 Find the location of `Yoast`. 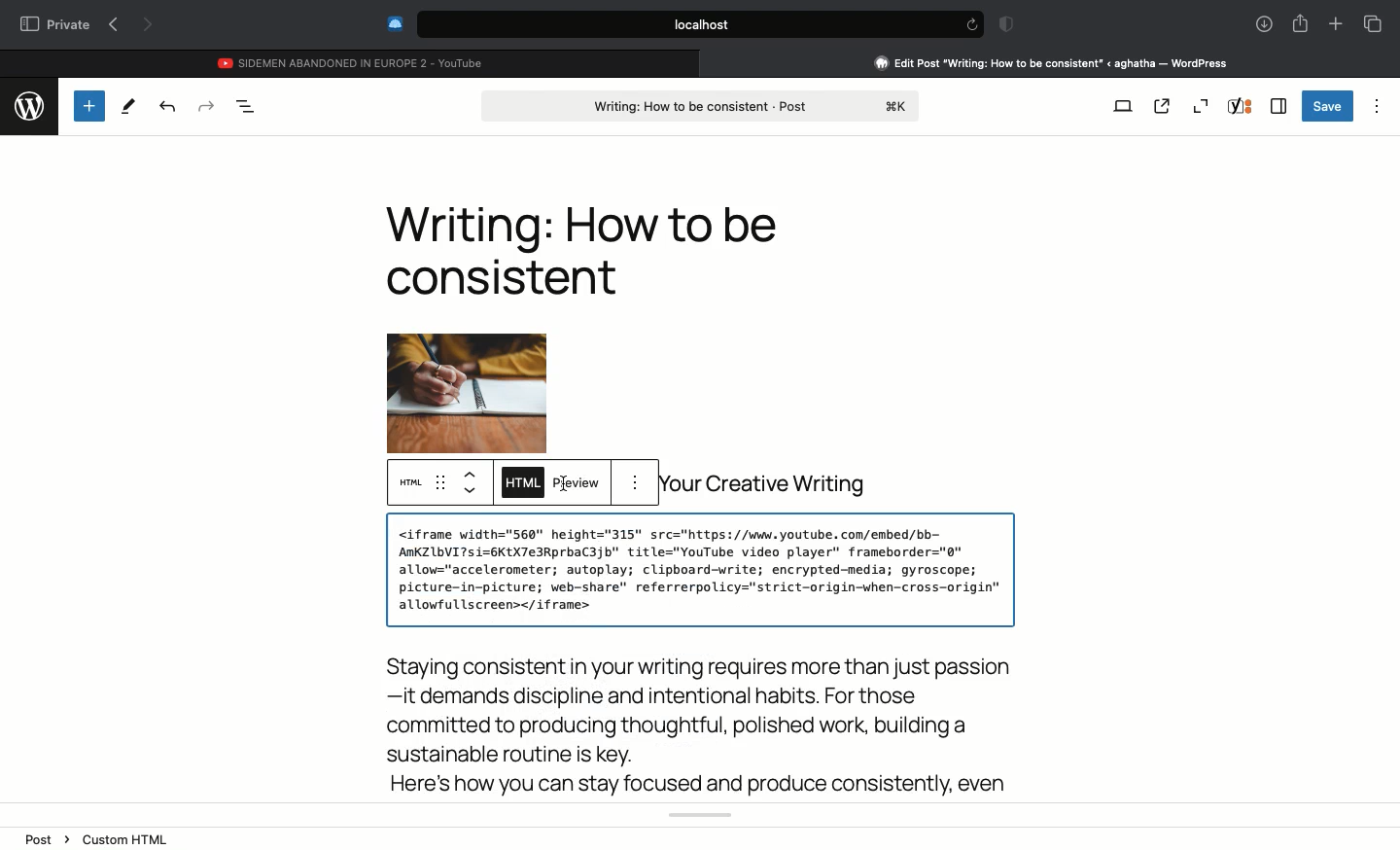

Yoast is located at coordinates (1241, 106).